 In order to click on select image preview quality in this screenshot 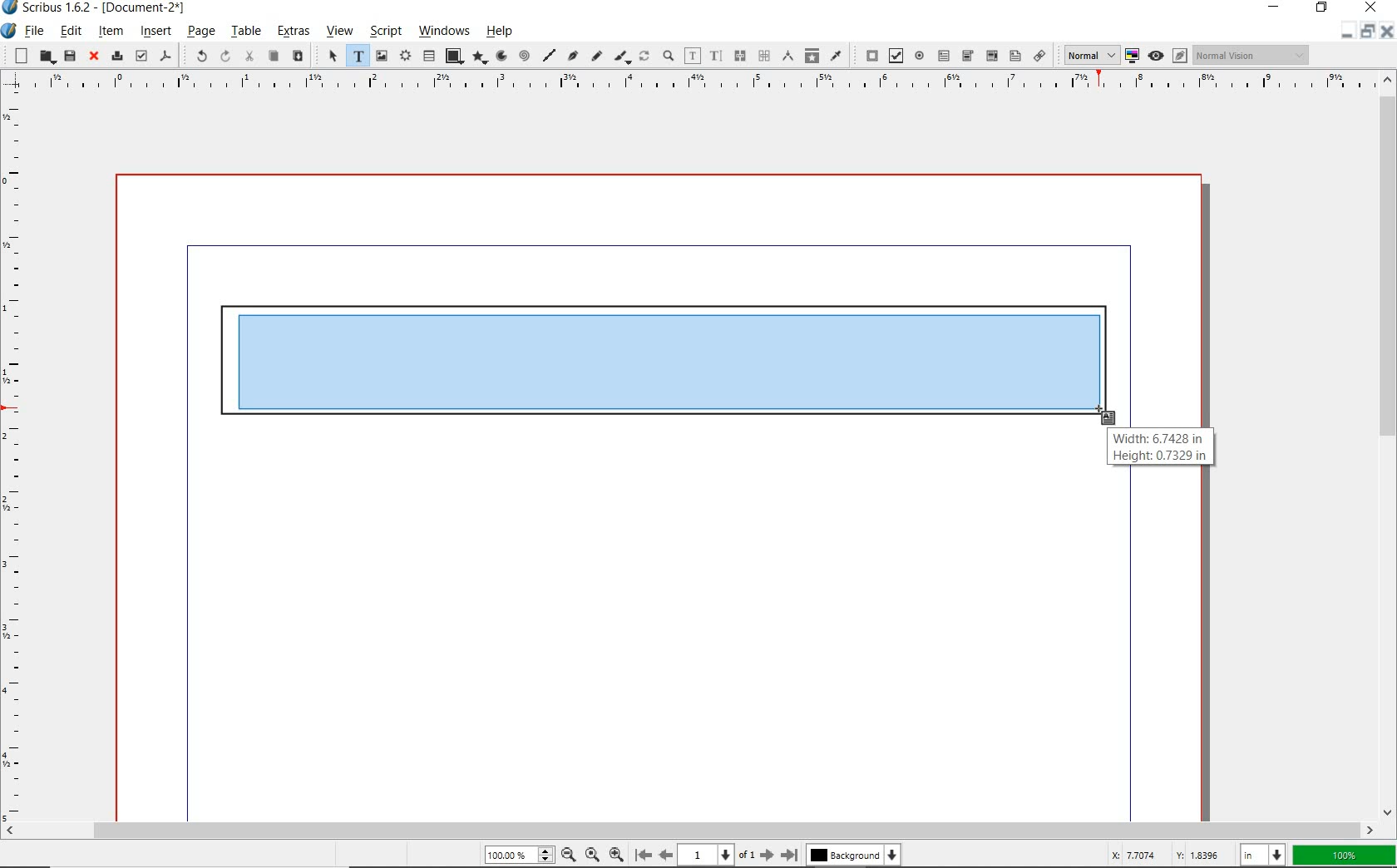, I will do `click(1086, 55)`.